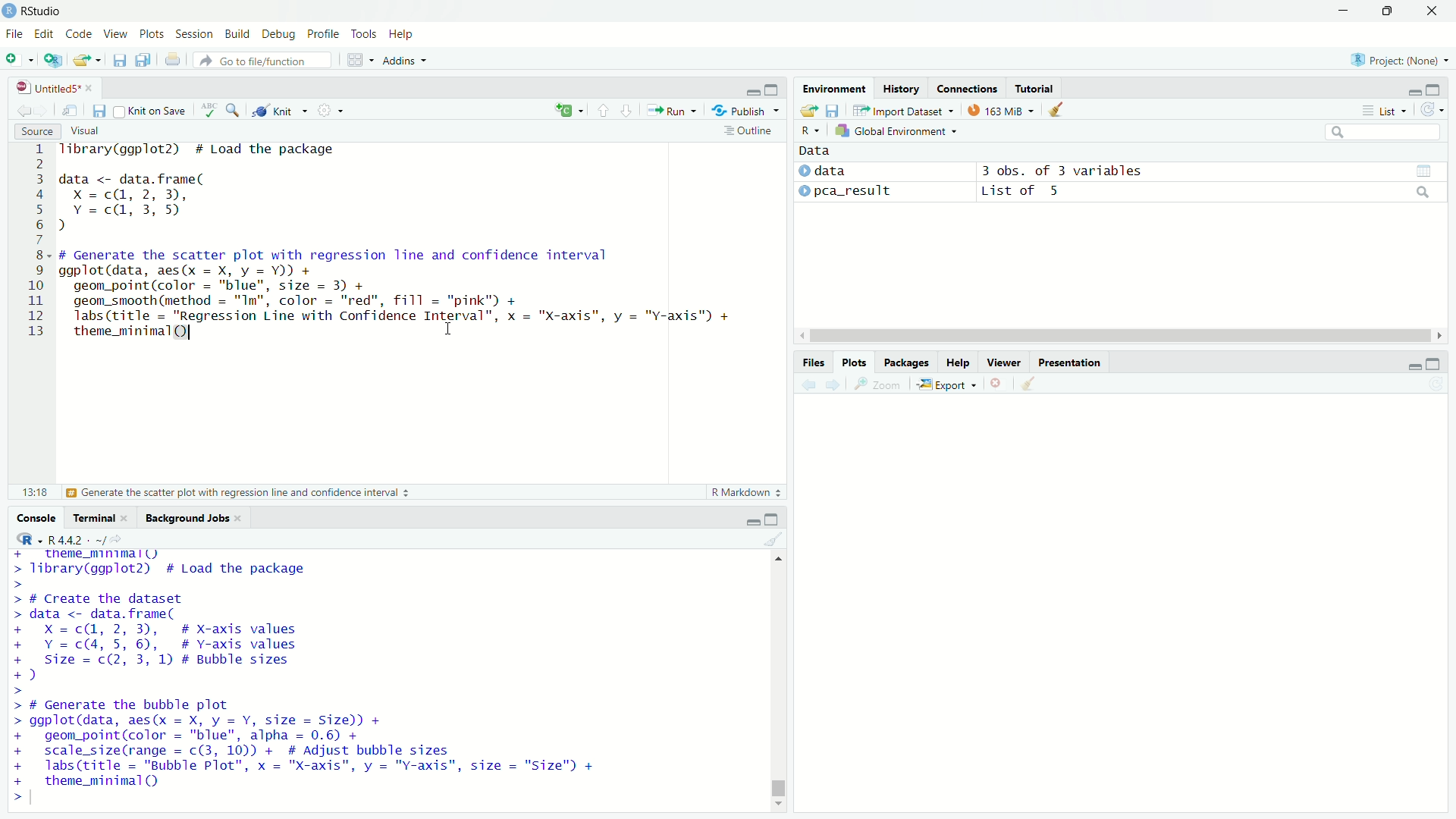 This screenshot has width=1456, height=819. Describe the element at coordinates (753, 92) in the screenshot. I see `minimize` at that location.